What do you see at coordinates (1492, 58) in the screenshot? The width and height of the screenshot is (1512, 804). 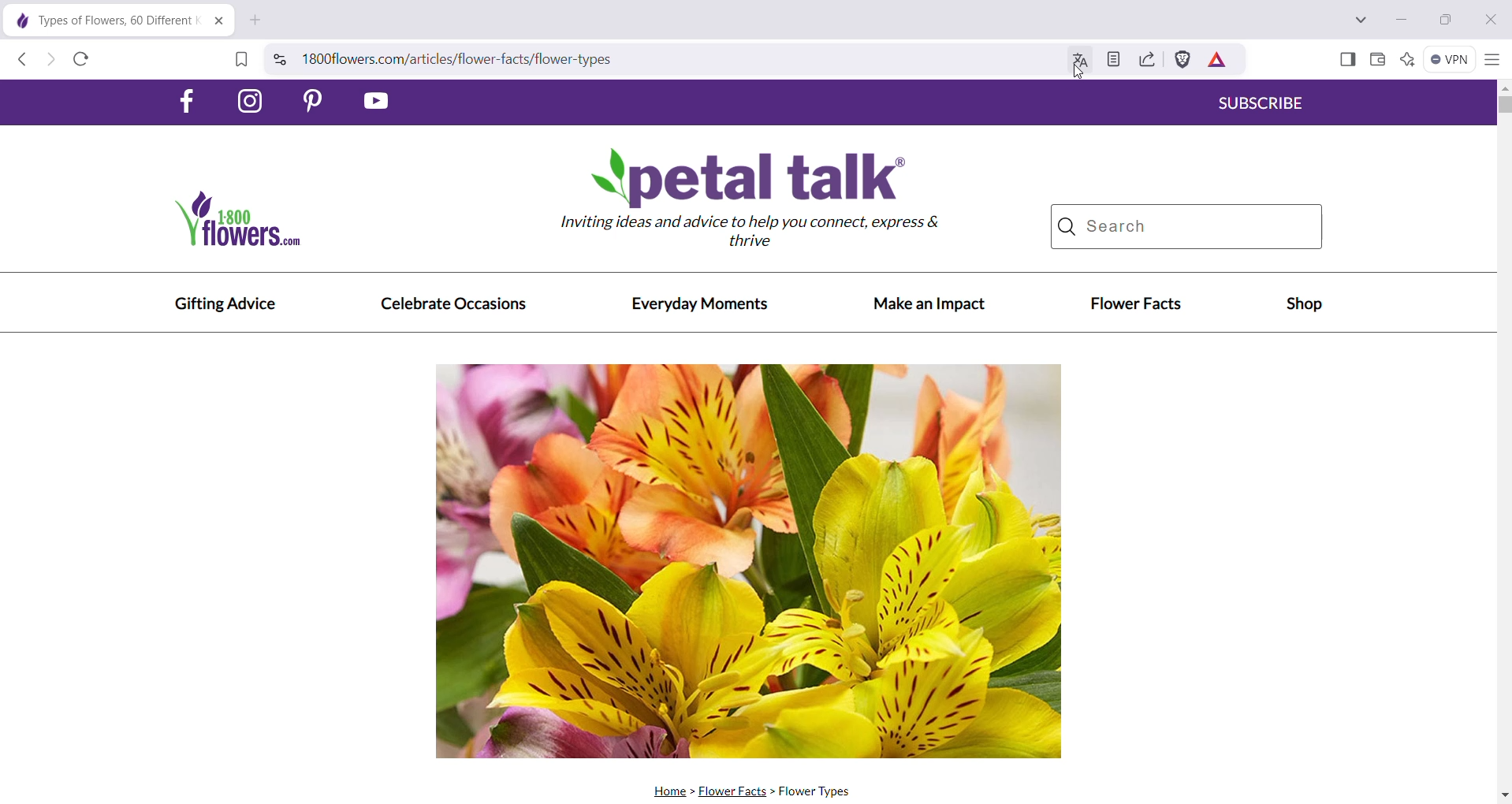 I see `Customize and control Brave` at bounding box center [1492, 58].